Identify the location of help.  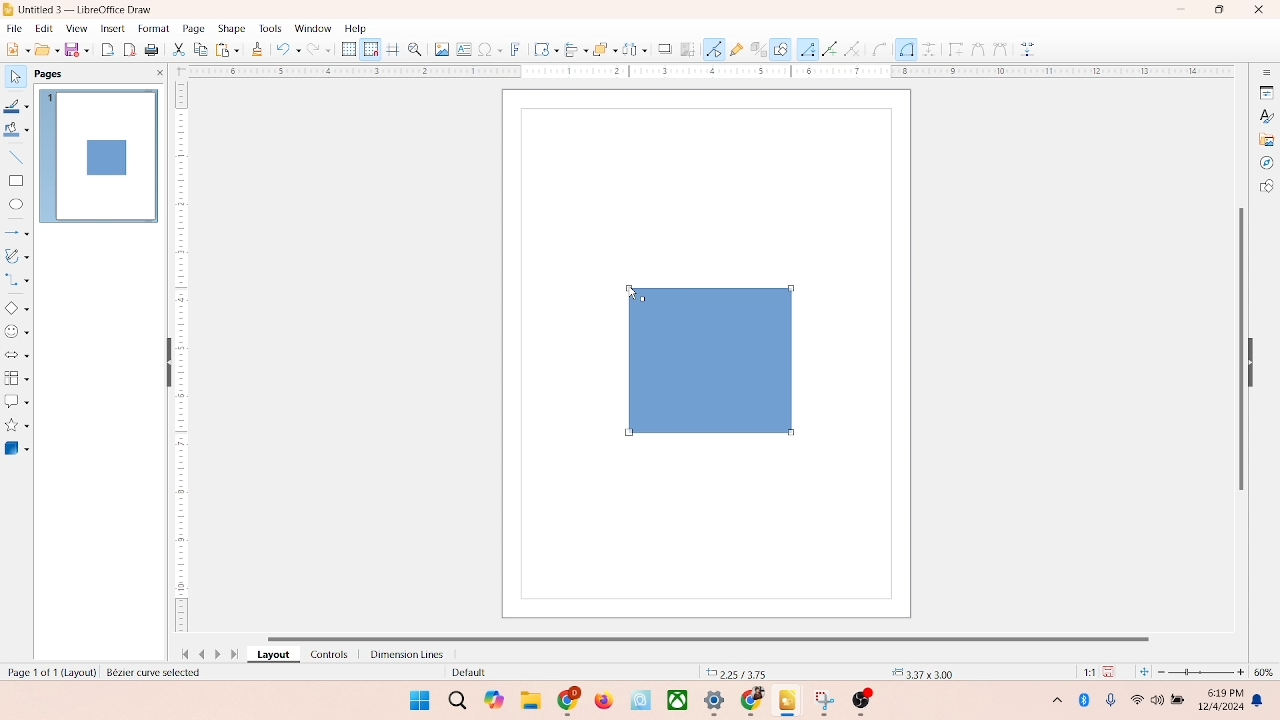
(356, 28).